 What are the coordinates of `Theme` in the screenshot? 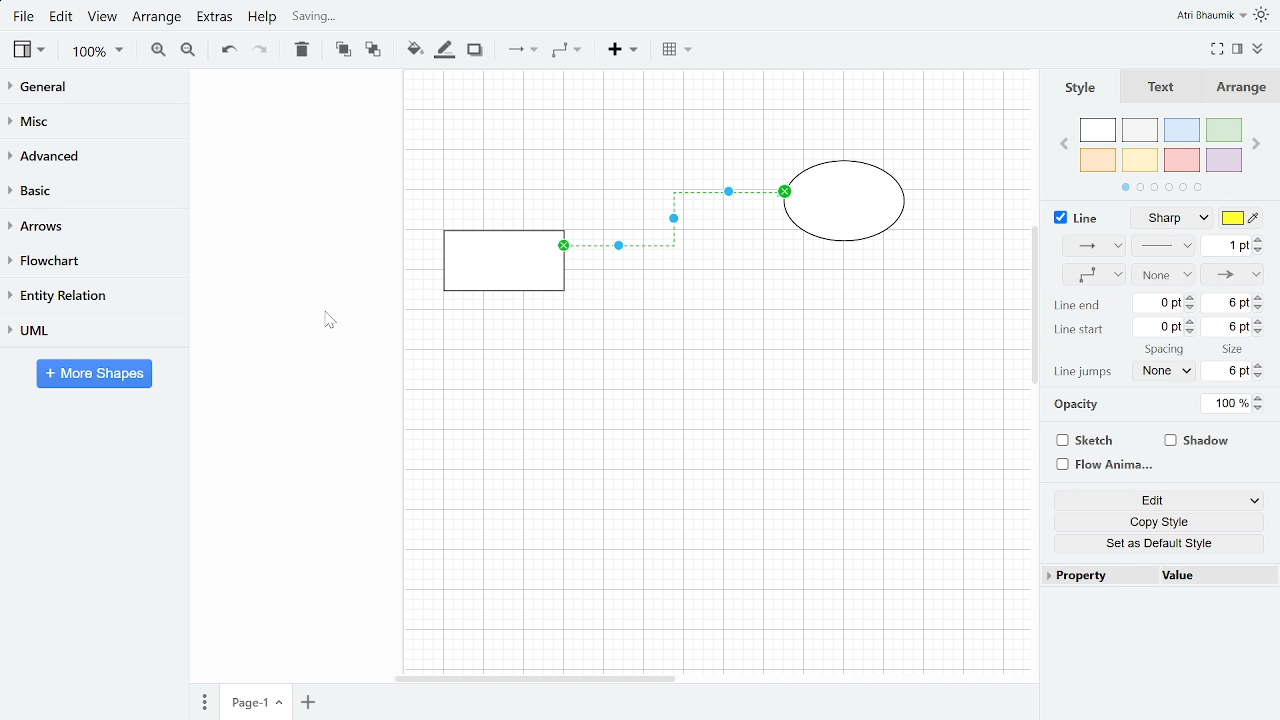 It's located at (1264, 14).